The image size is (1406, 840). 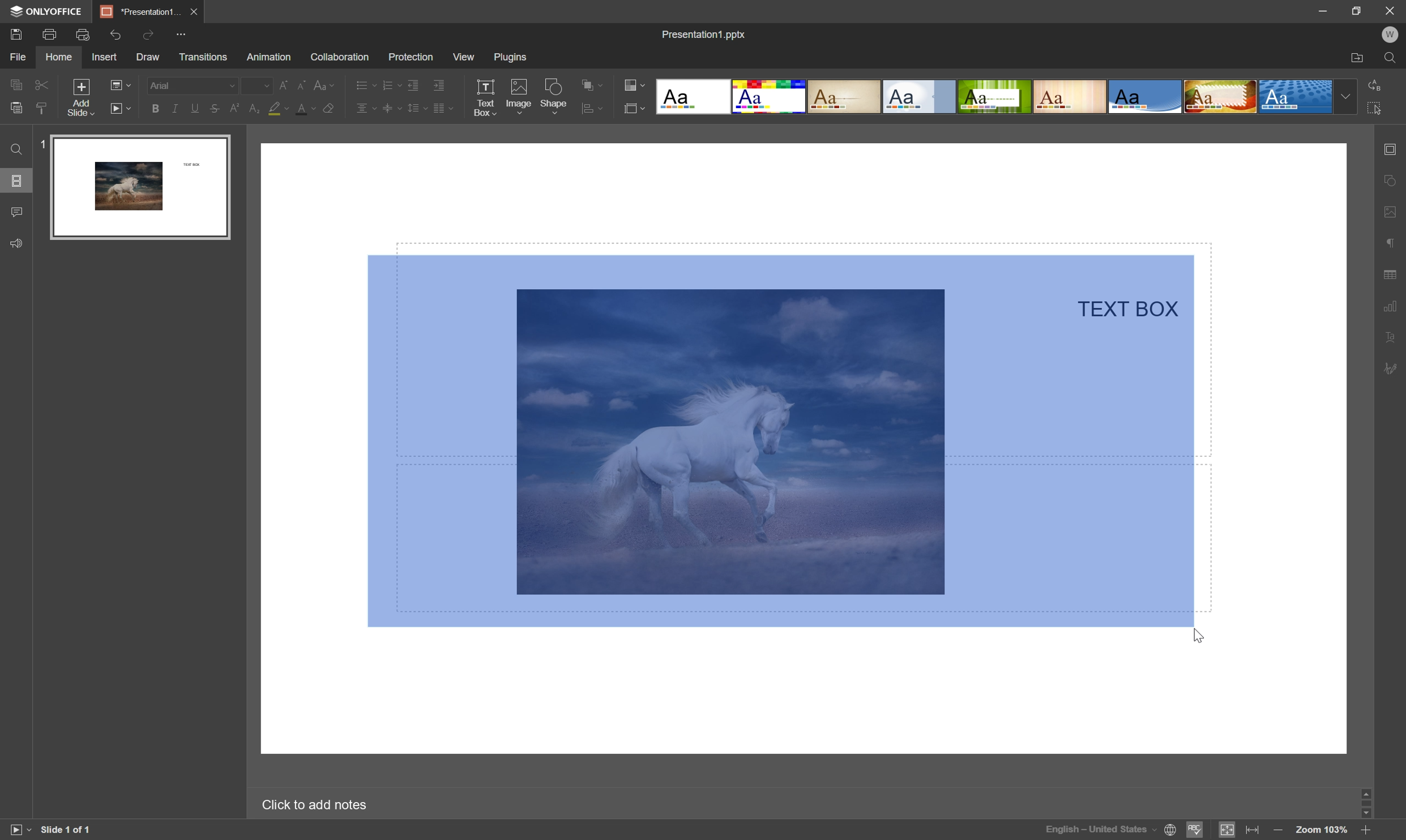 I want to click on shape settings, so click(x=1392, y=181).